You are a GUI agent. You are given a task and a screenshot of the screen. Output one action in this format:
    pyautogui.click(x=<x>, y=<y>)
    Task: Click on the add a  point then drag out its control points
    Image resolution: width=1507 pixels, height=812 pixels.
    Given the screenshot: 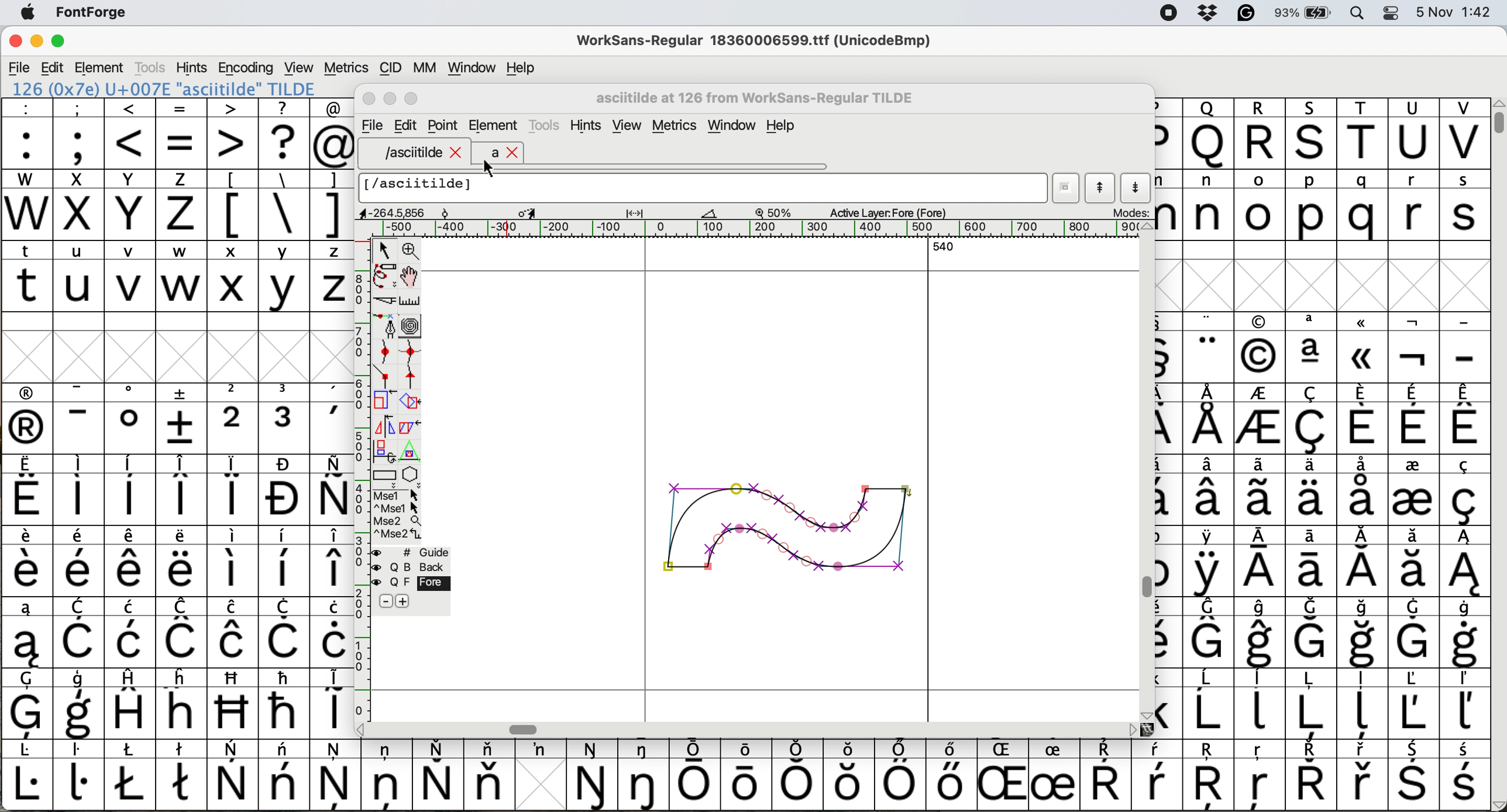 What is the action you would take?
    pyautogui.click(x=386, y=325)
    